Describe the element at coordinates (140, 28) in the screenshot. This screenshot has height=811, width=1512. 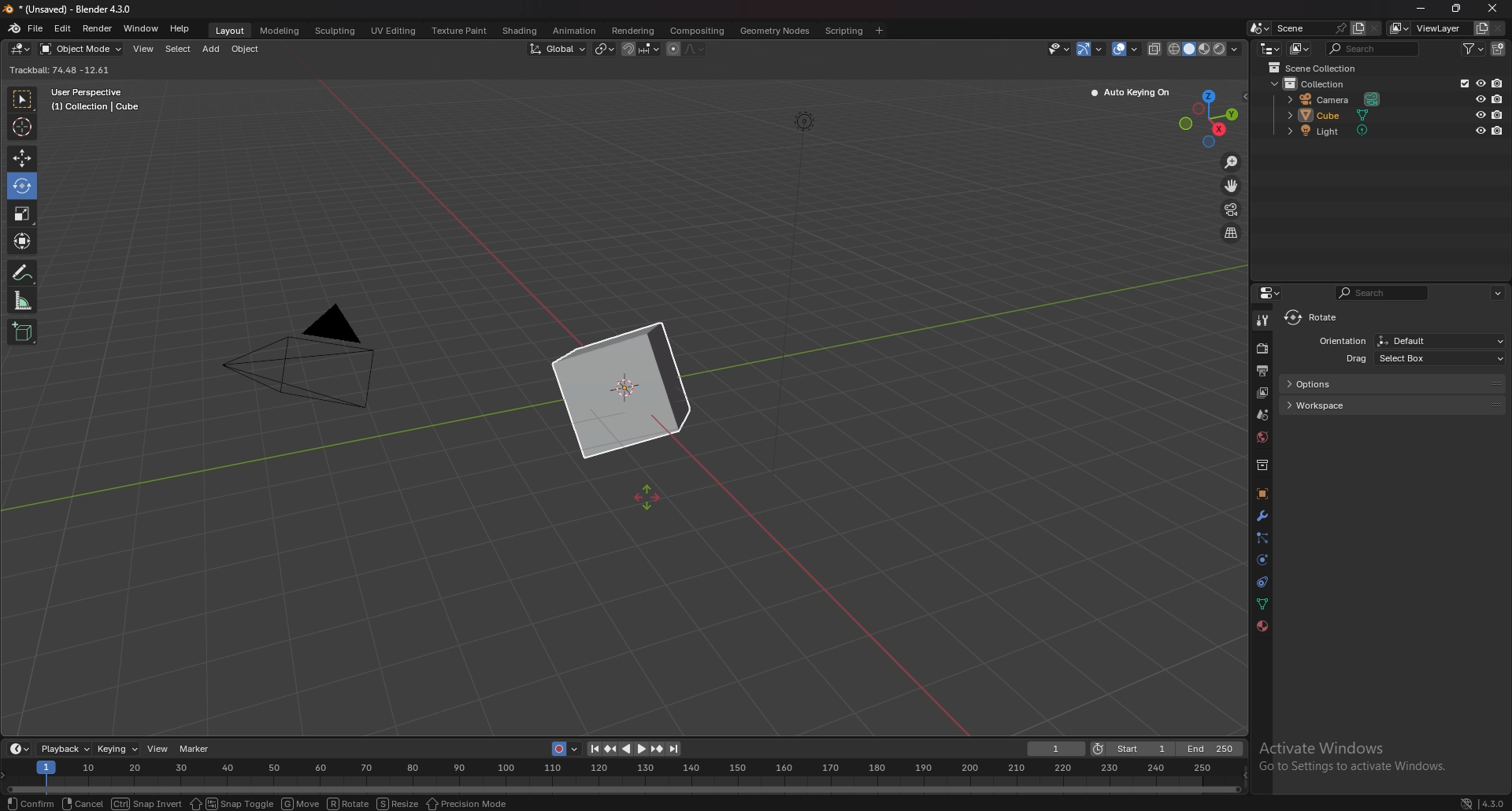
I see `window` at that location.